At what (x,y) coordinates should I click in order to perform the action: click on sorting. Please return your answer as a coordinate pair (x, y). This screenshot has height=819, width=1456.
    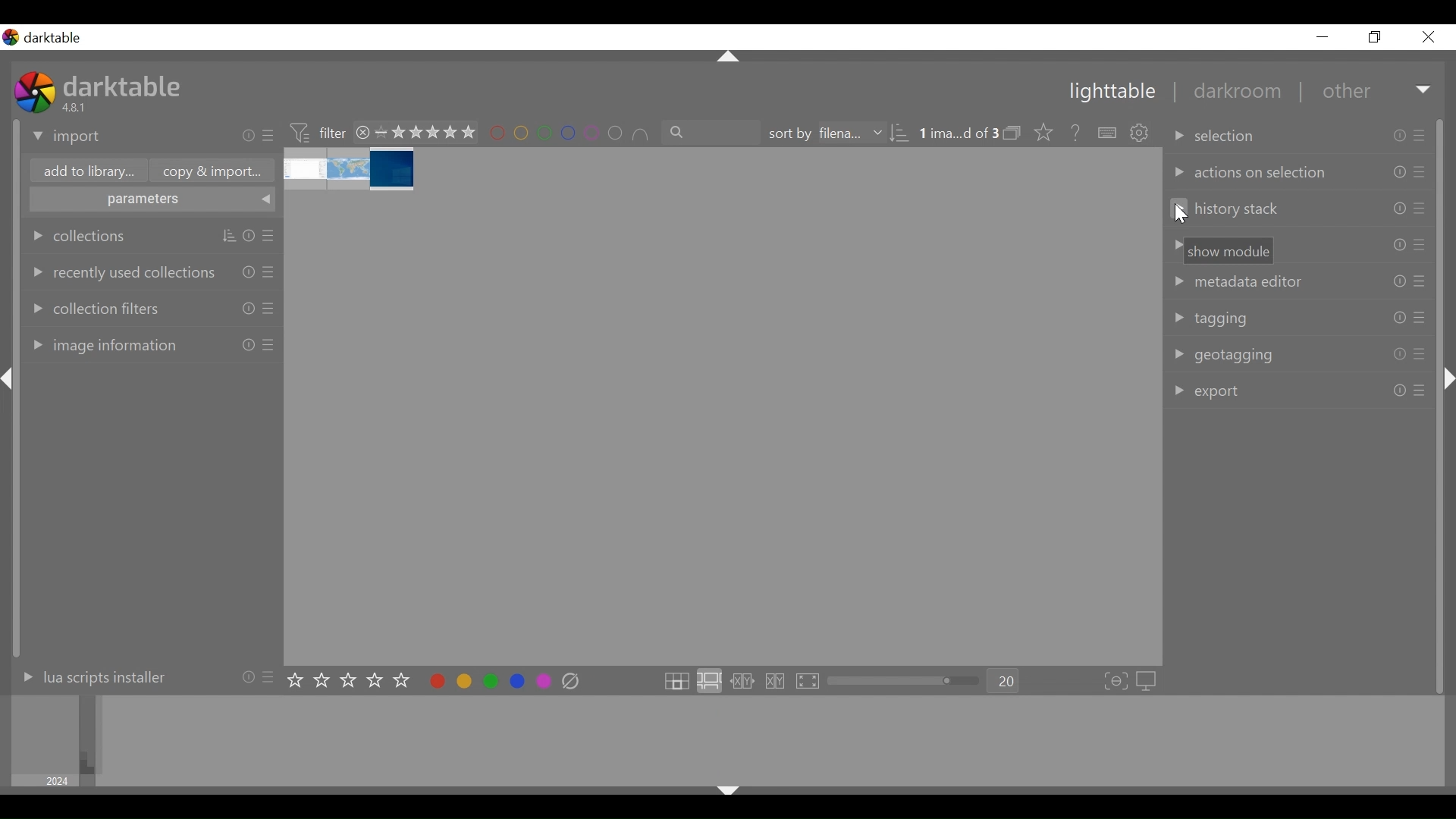
    Looking at the image, I should click on (229, 237).